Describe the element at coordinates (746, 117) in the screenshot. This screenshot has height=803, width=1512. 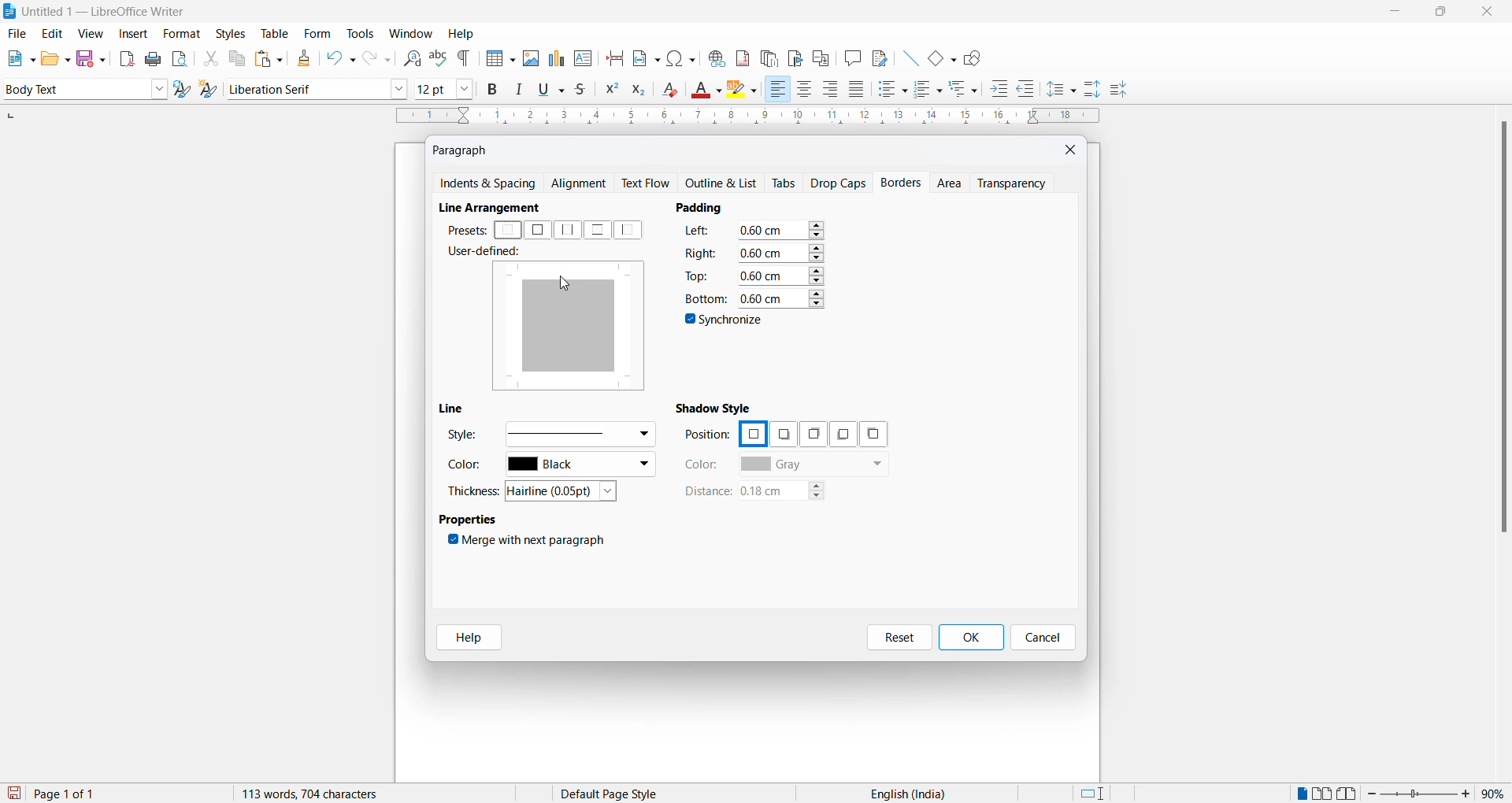
I see `scaling` at that location.